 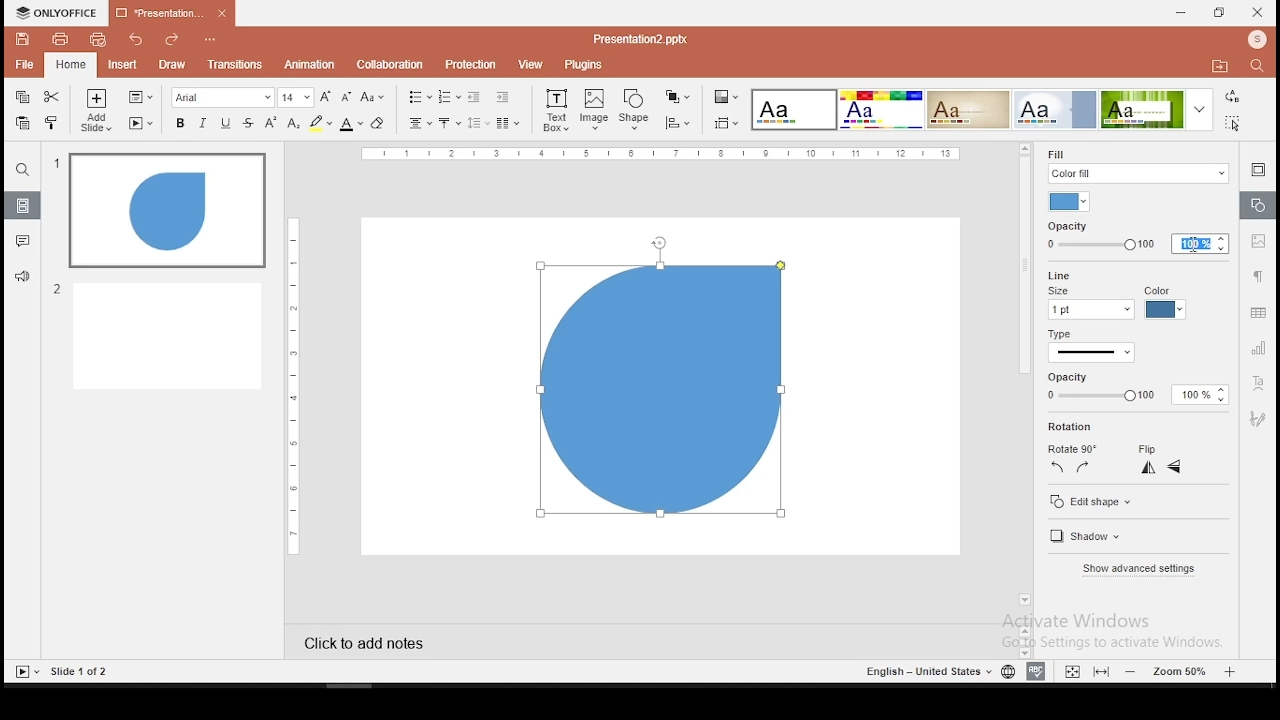 What do you see at coordinates (22, 206) in the screenshot?
I see `slides` at bounding box center [22, 206].